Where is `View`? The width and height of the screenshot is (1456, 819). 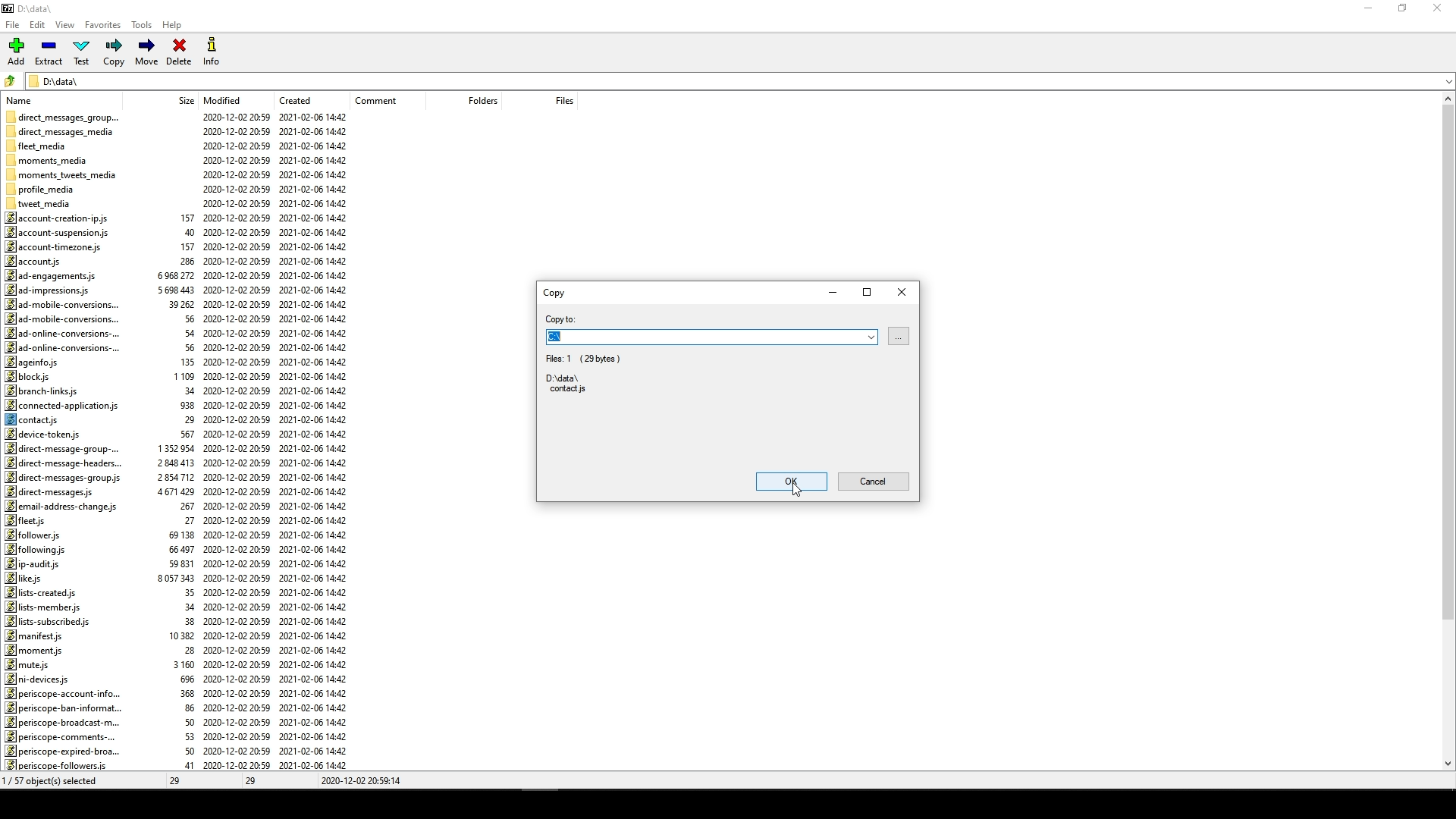 View is located at coordinates (67, 26).